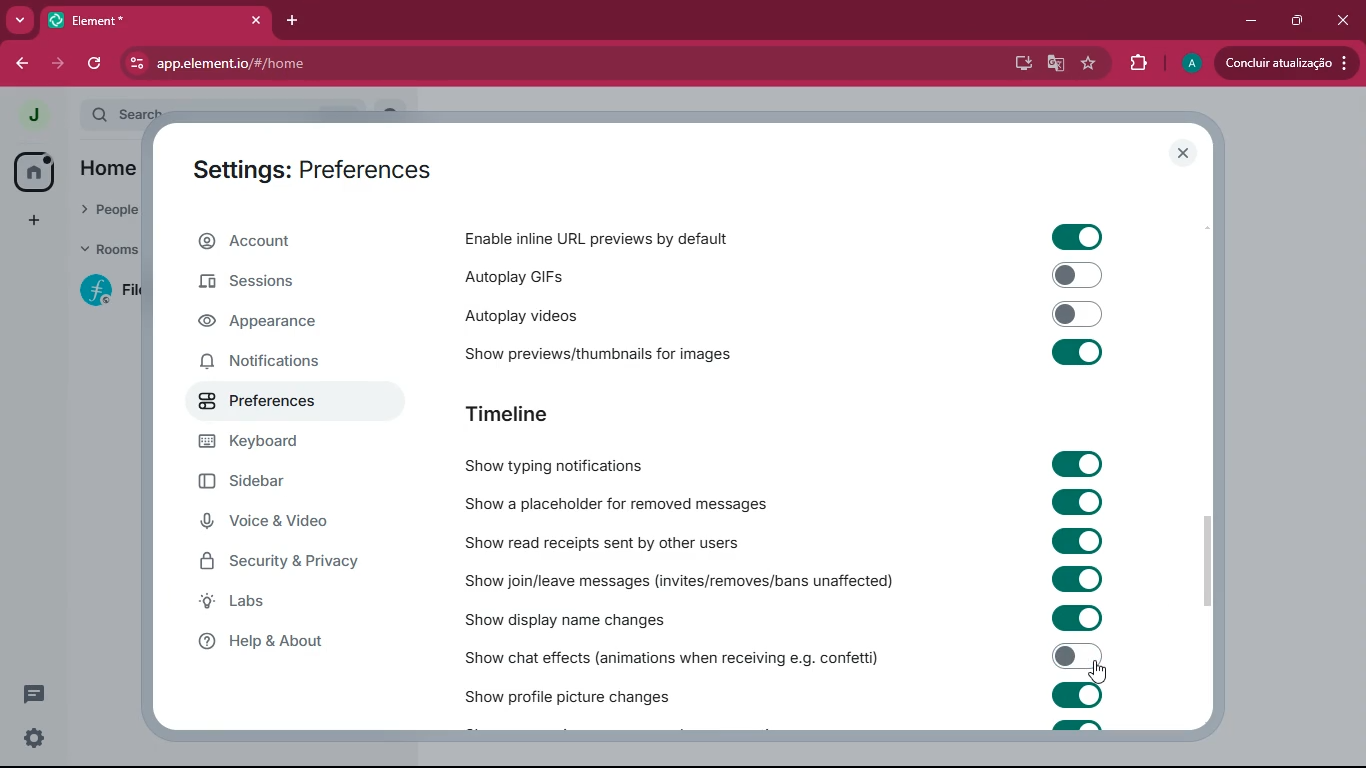 The width and height of the screenshot is (1366, 768). Describe the element at coordinates (601, 238) in the screenshot. I see `enable inline URL previews by default` at that location.